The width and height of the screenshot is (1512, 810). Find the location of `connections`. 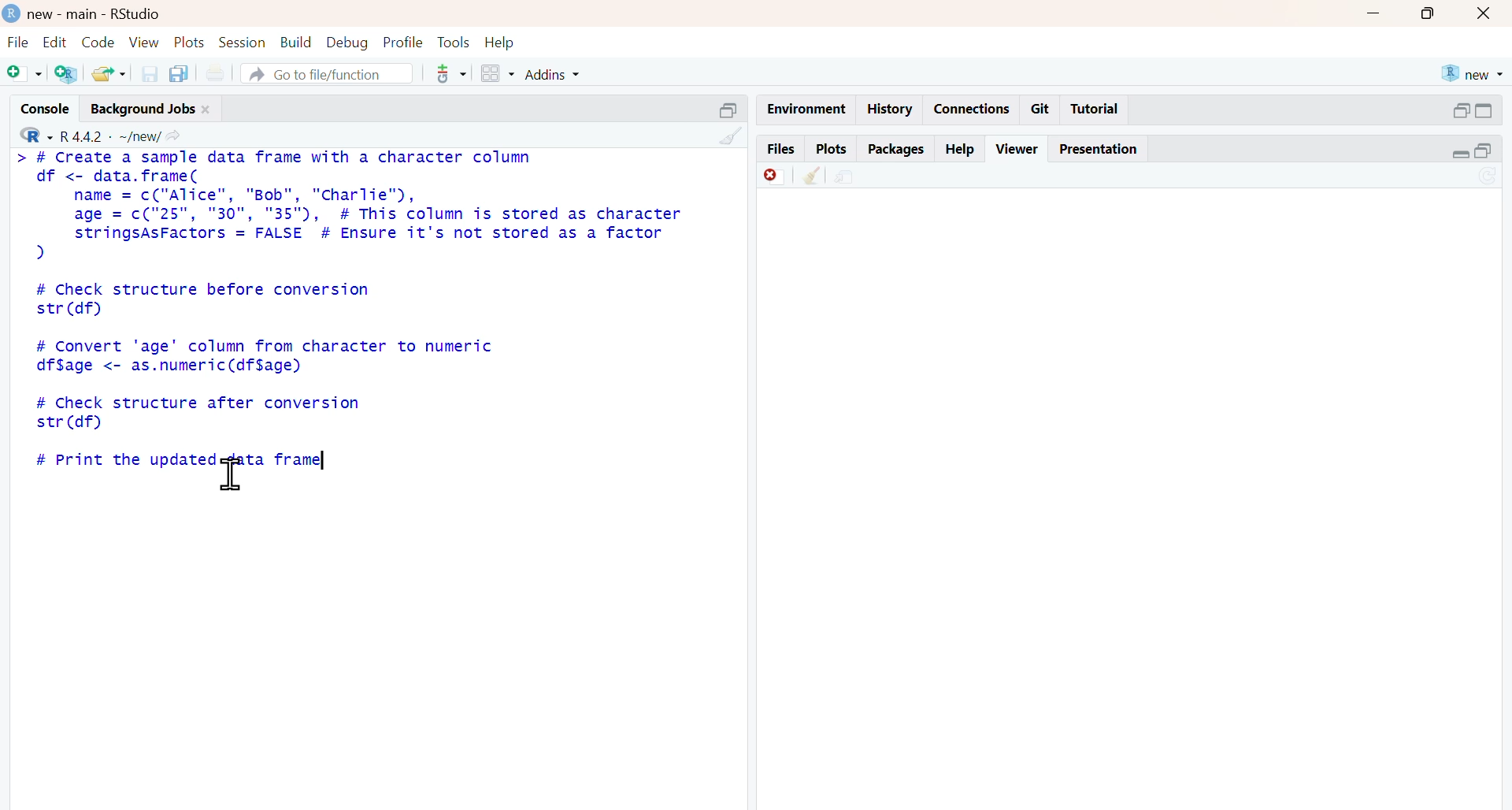

connections is located at coordinates (973, 109).